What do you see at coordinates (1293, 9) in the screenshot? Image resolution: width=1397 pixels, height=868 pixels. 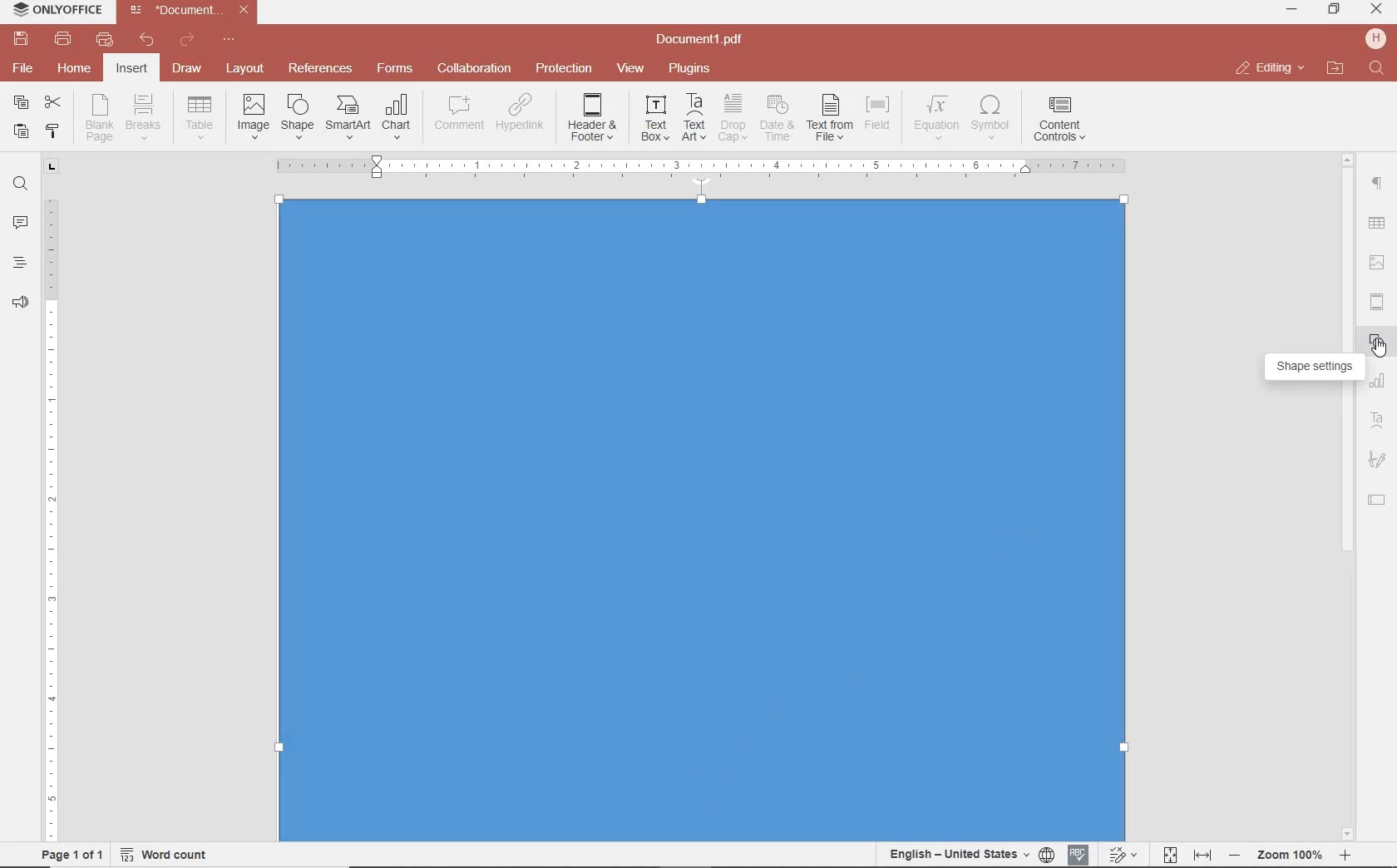 I see `minimize` at bounding box center [1293, 9].